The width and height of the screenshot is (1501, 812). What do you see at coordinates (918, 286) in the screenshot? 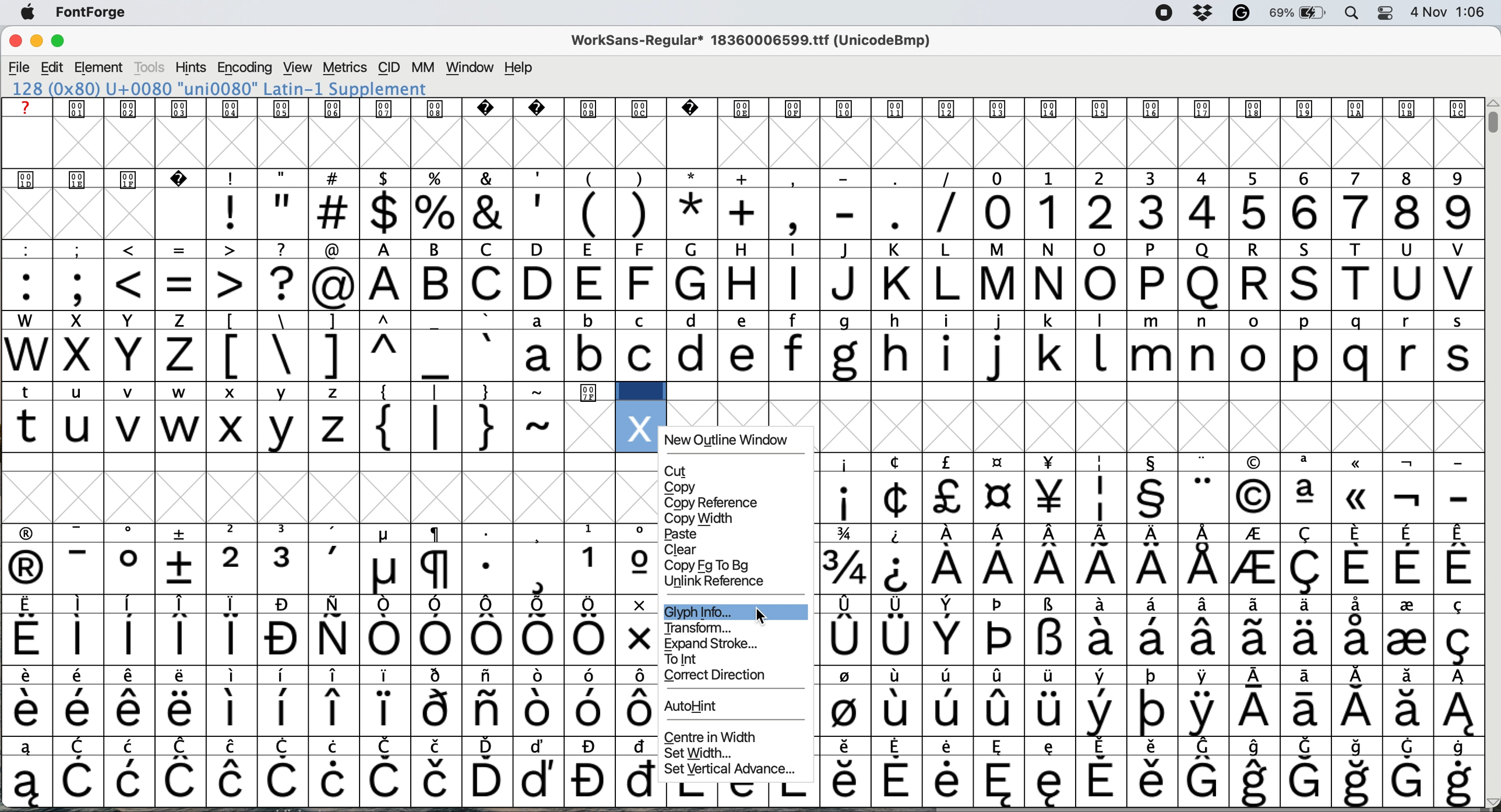
I see `capital letters a to v` at bounding box center [918, 286].